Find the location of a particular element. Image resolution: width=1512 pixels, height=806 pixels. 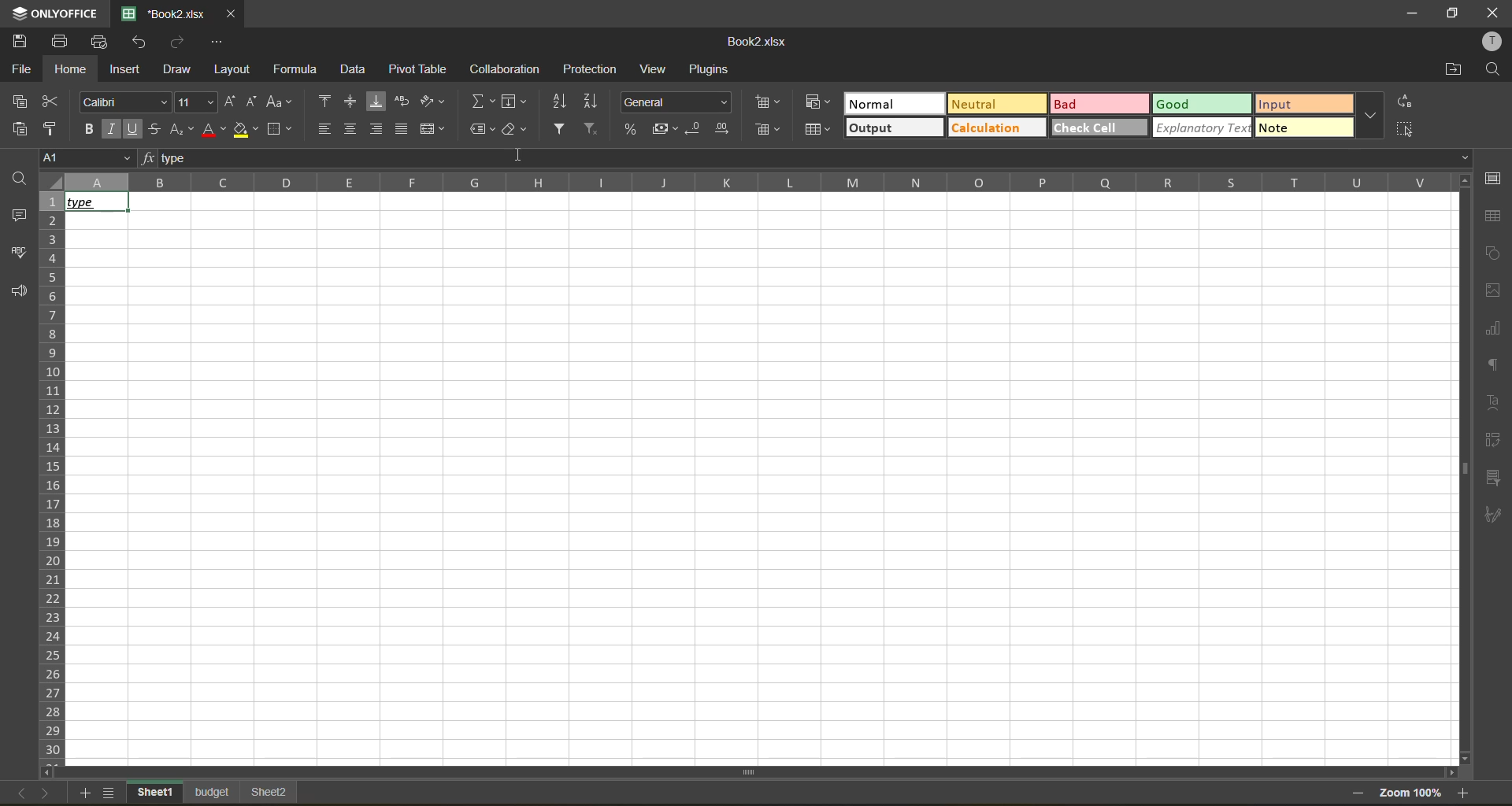

align middle is located at coordinates (350, 128).